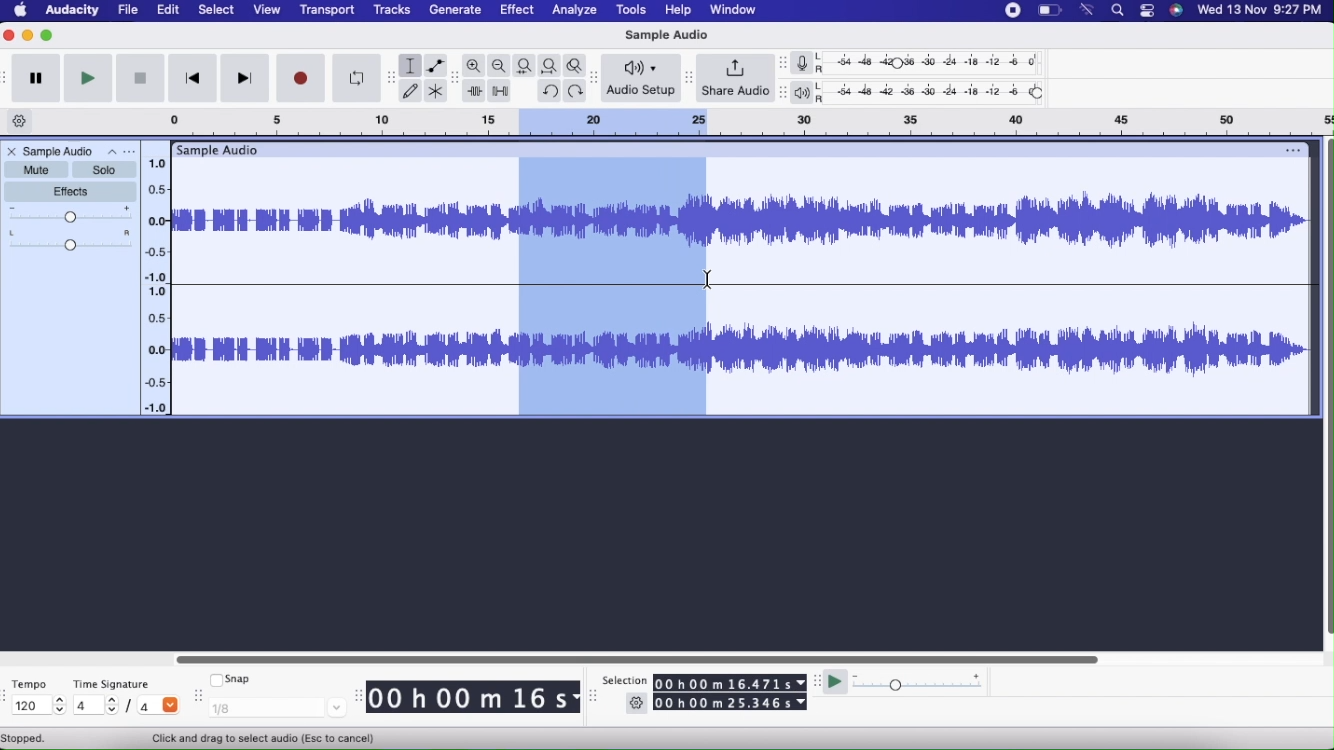  I want to click on transport, so click(329, 11).